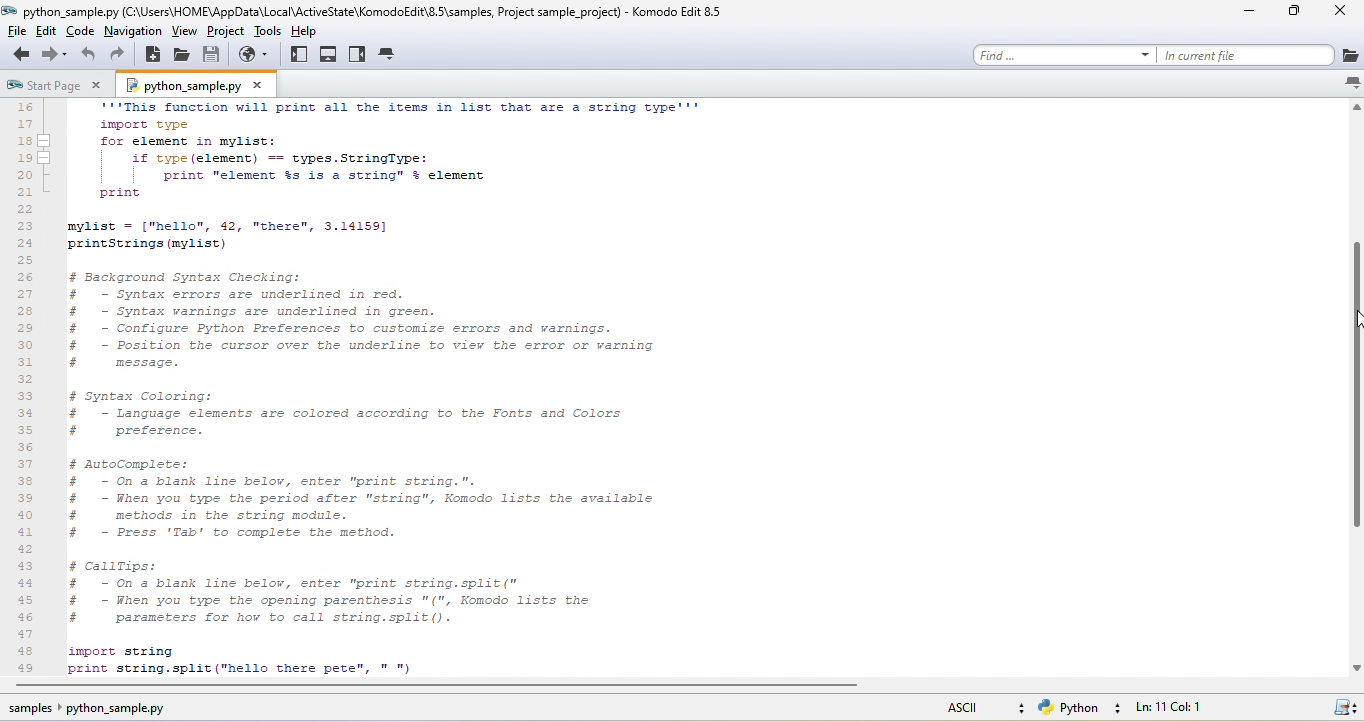 The width and height of the screenshot is (1364, 722). I want to click on edit, so click(49, 31).